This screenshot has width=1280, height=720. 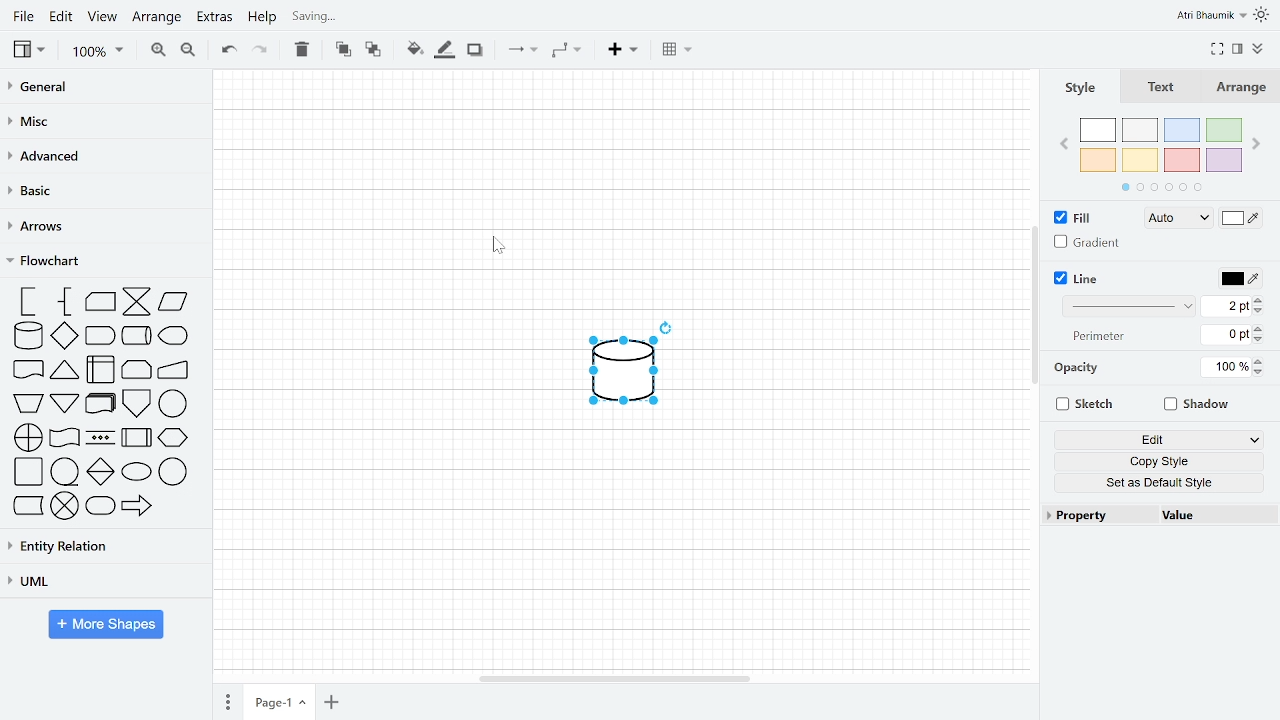 I want to click on Zoom out, so click(x=189, y=51).